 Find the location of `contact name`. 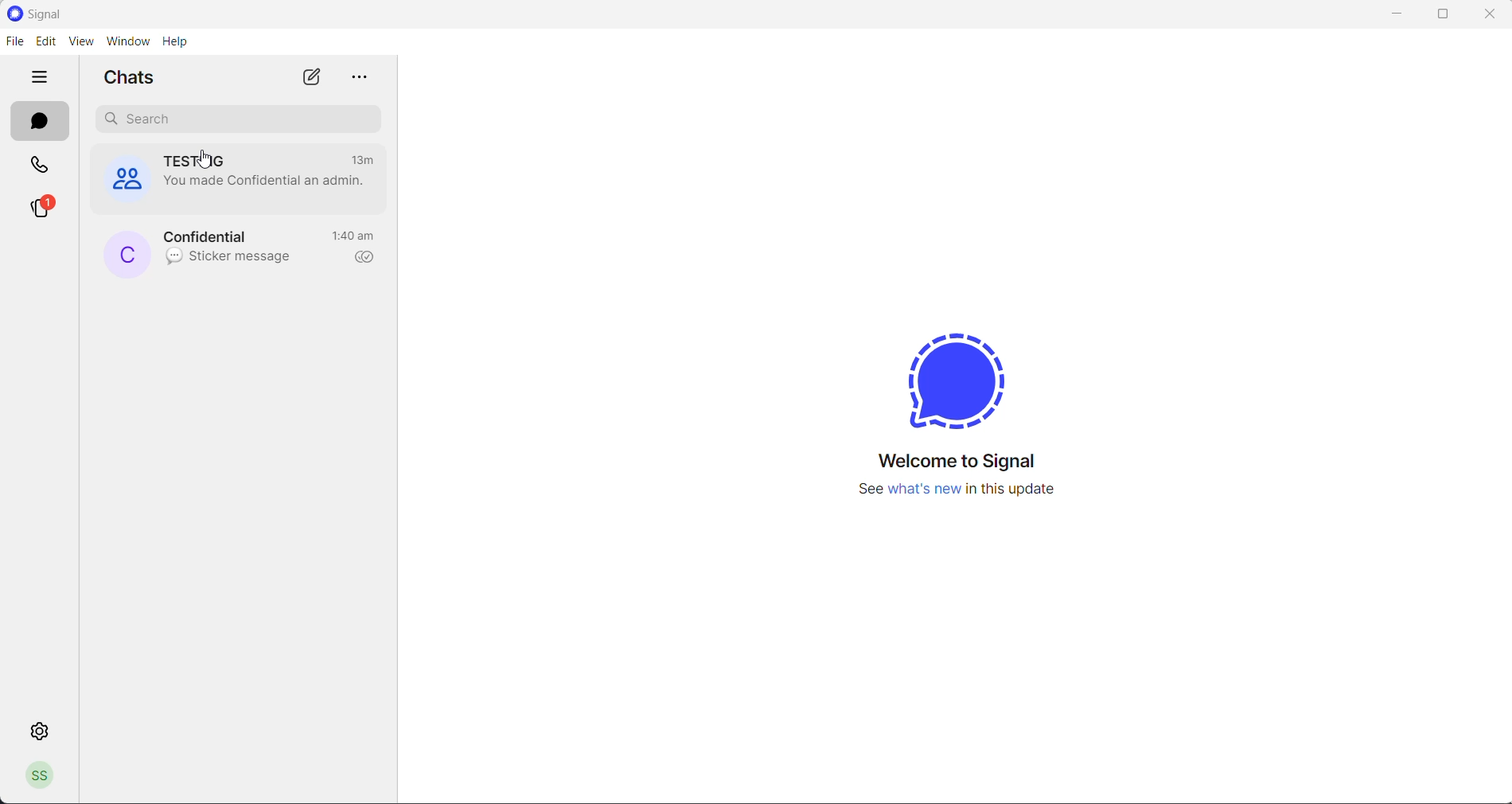

contact name is located at coordinates (217, 236).